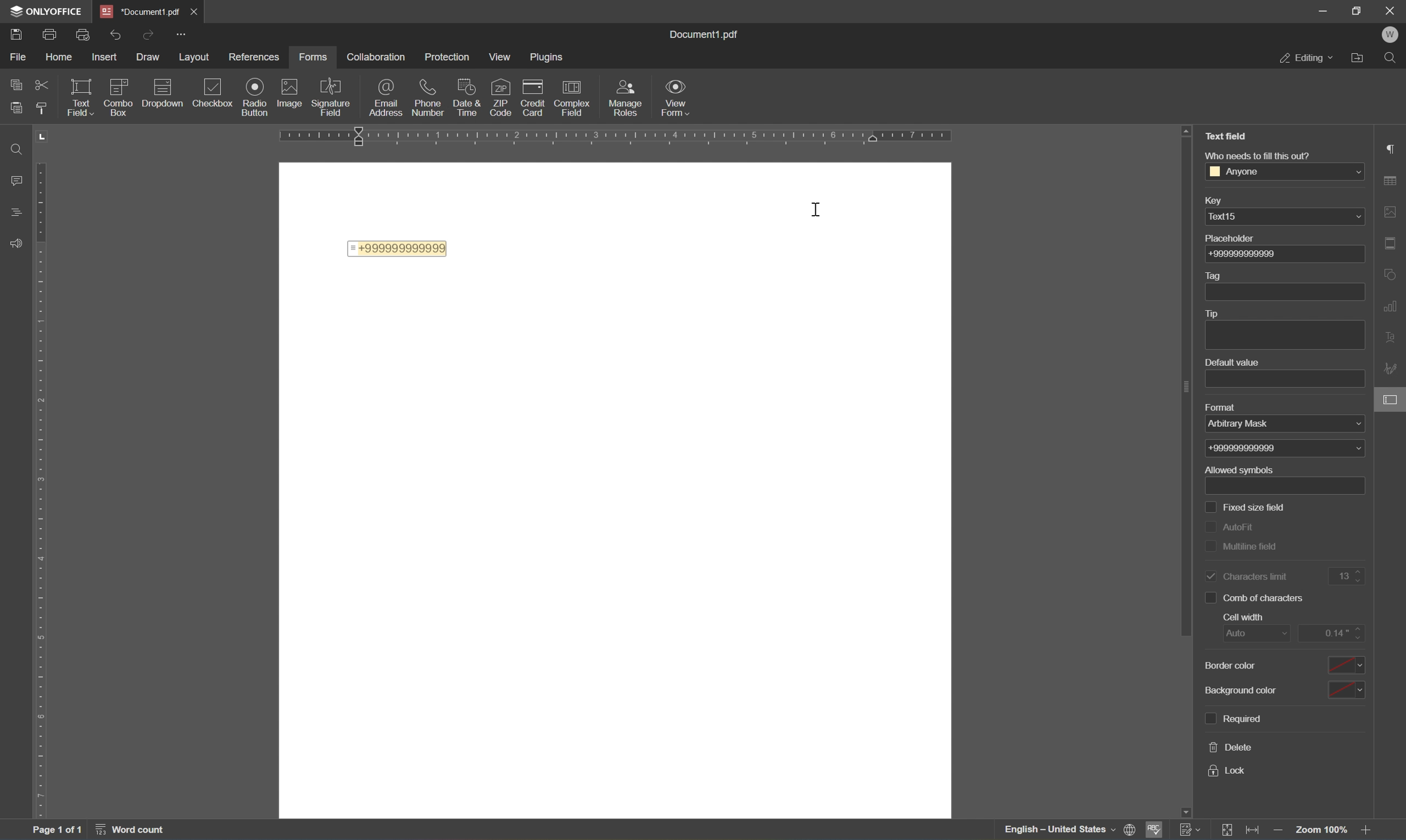 The width and height of the screenshot is (1406, 840). What do you see at coordinates (1233, 719) in the screenshot?
I see `required` at bounding box center [1233, 719].